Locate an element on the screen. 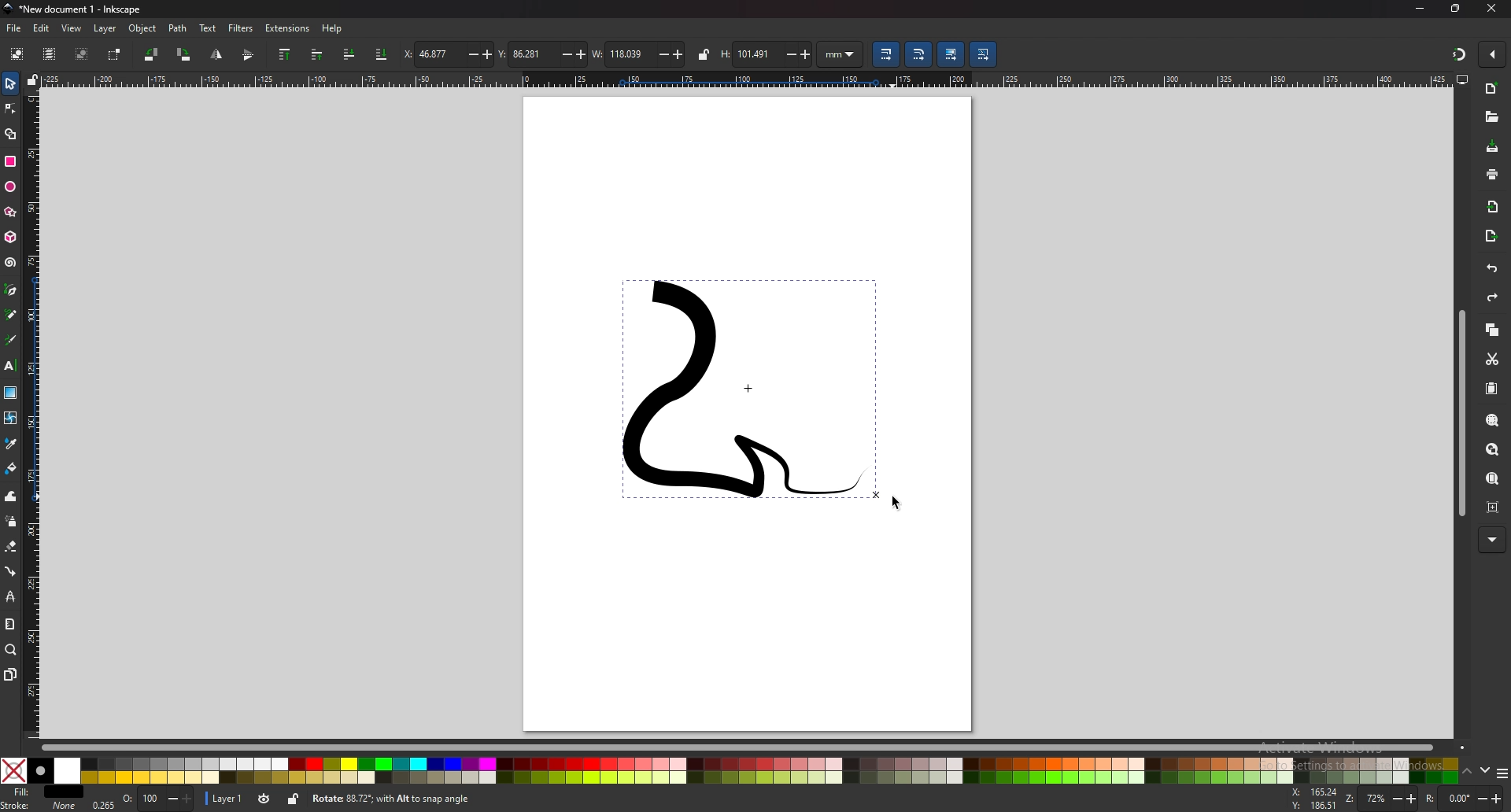 This screenshot has height=812, width=1511. scroll bar is located at coordinates (1461, 413).